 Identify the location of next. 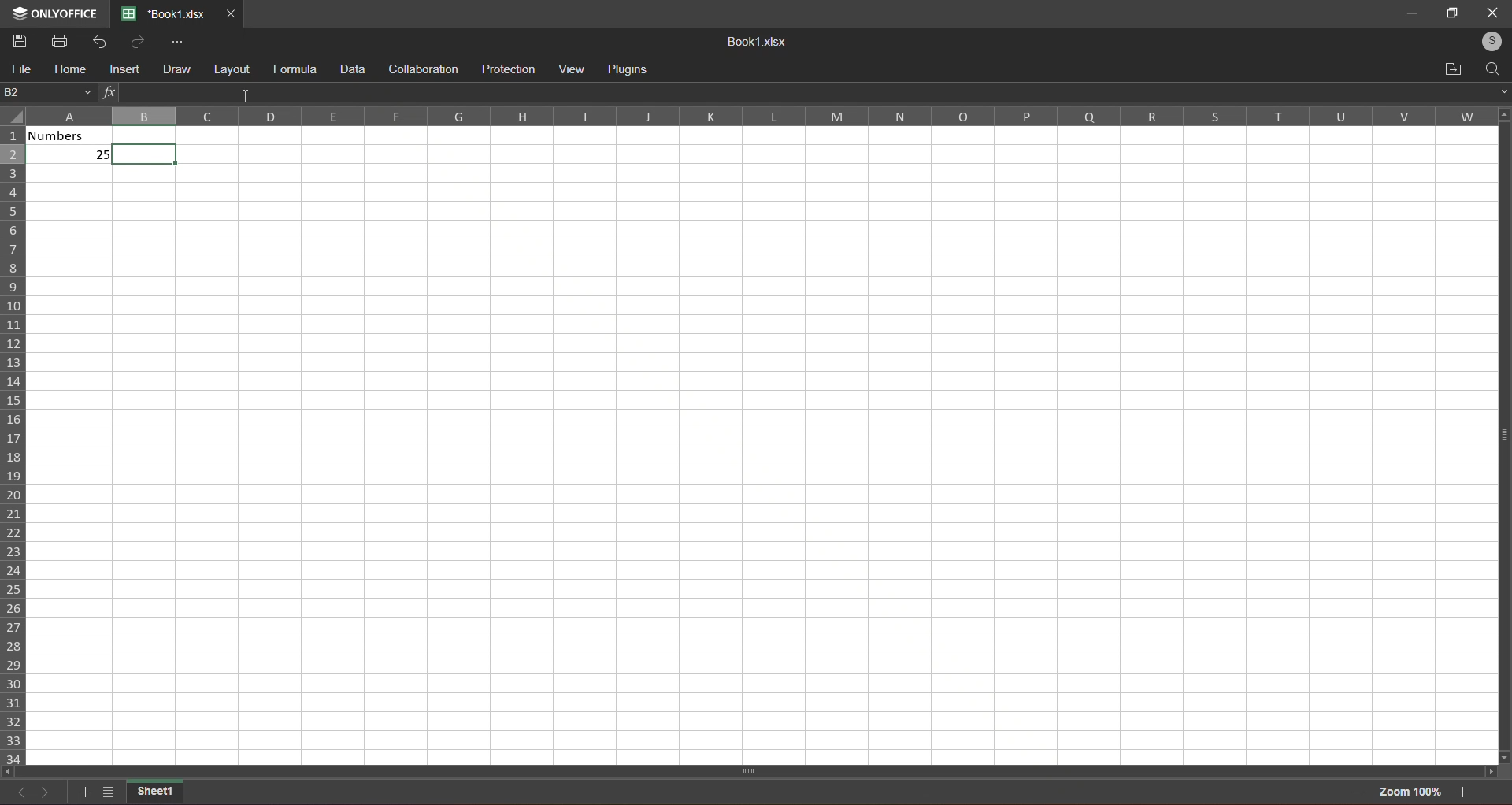
(45, 793).